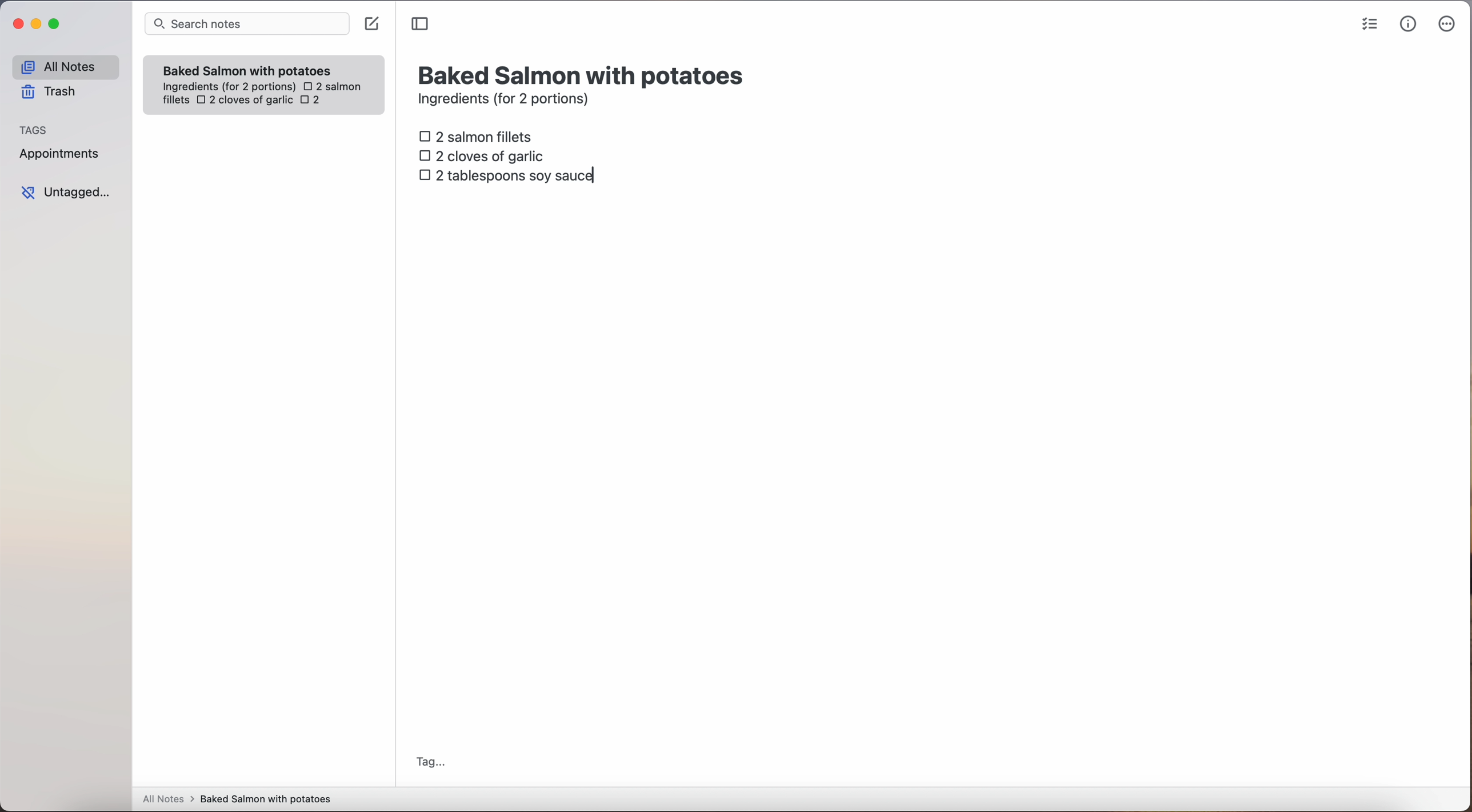 This screenshot has width=1472, height=812. Describe the element at coordinates (314, 101) in the screenshot. I see `2 ` at that location.